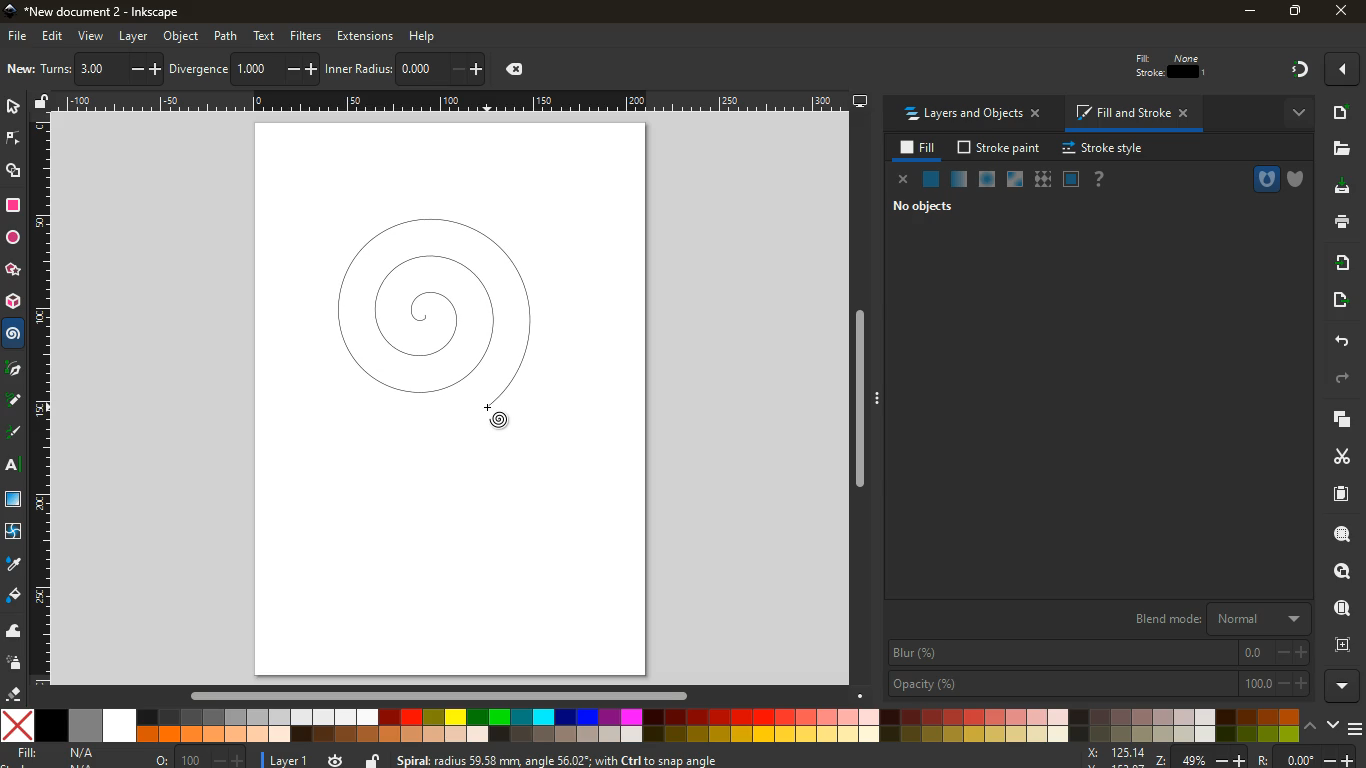 Image resolution: width=1366 pixels, height=768 pixels. I want to click on path, so click(226, 36).